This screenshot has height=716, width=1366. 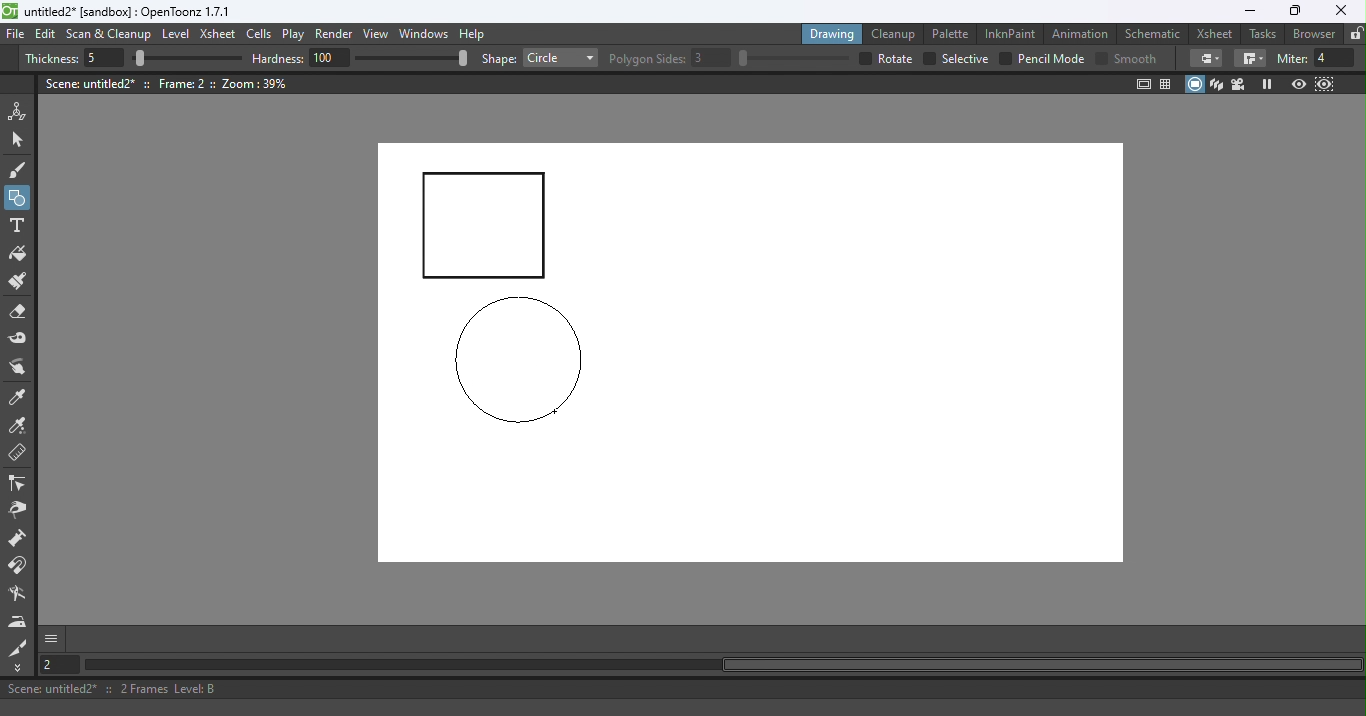 I want to click on Iron tool, so click(x=20, y=621).